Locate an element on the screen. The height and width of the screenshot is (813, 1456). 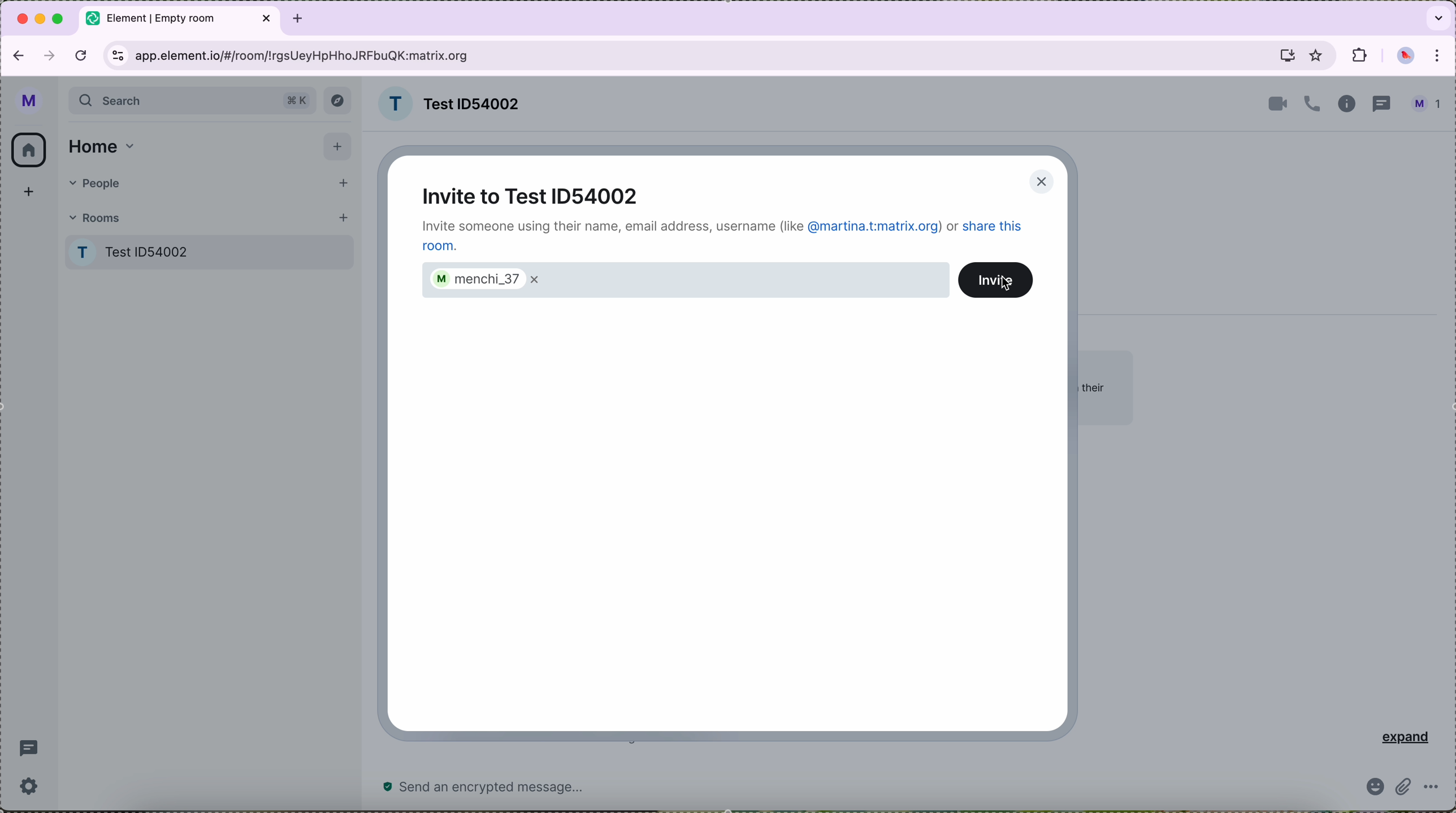
profile is located at coordinates (1429, 105).